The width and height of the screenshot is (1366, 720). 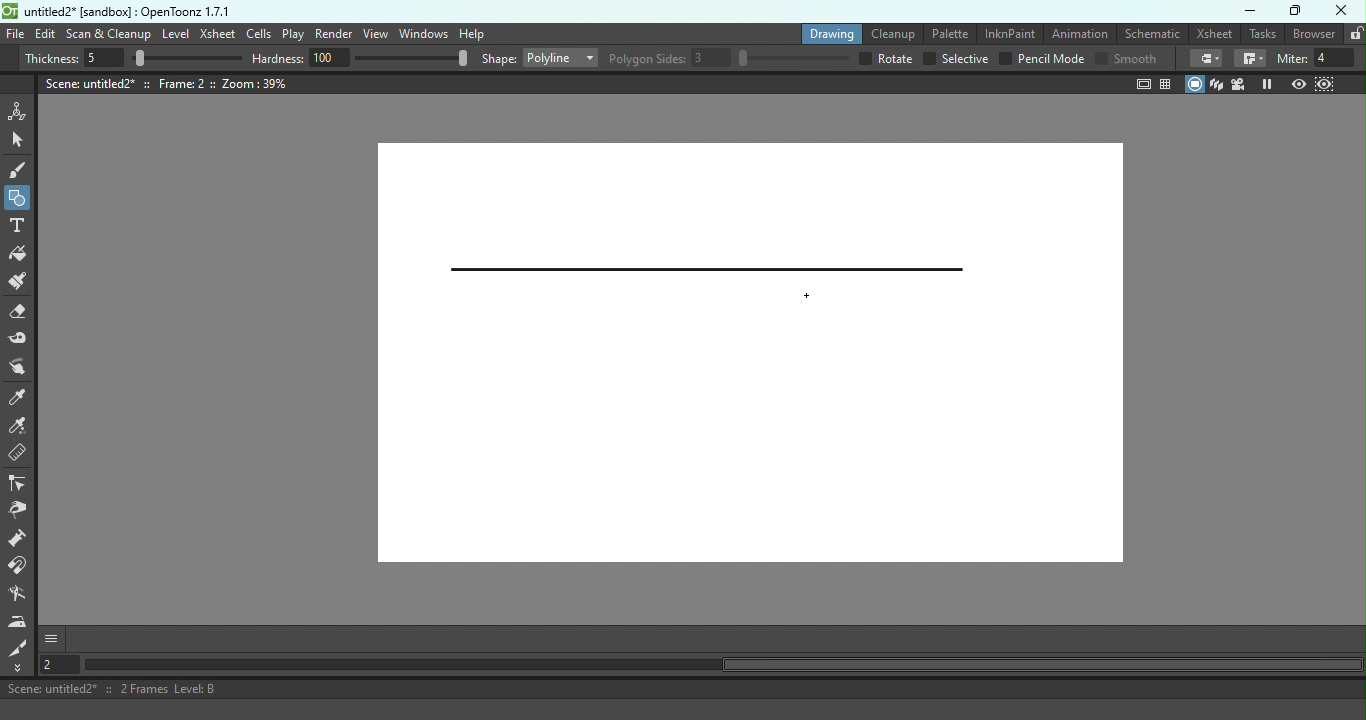 I want to click on Pinch tool, so click(x=23, y=367).